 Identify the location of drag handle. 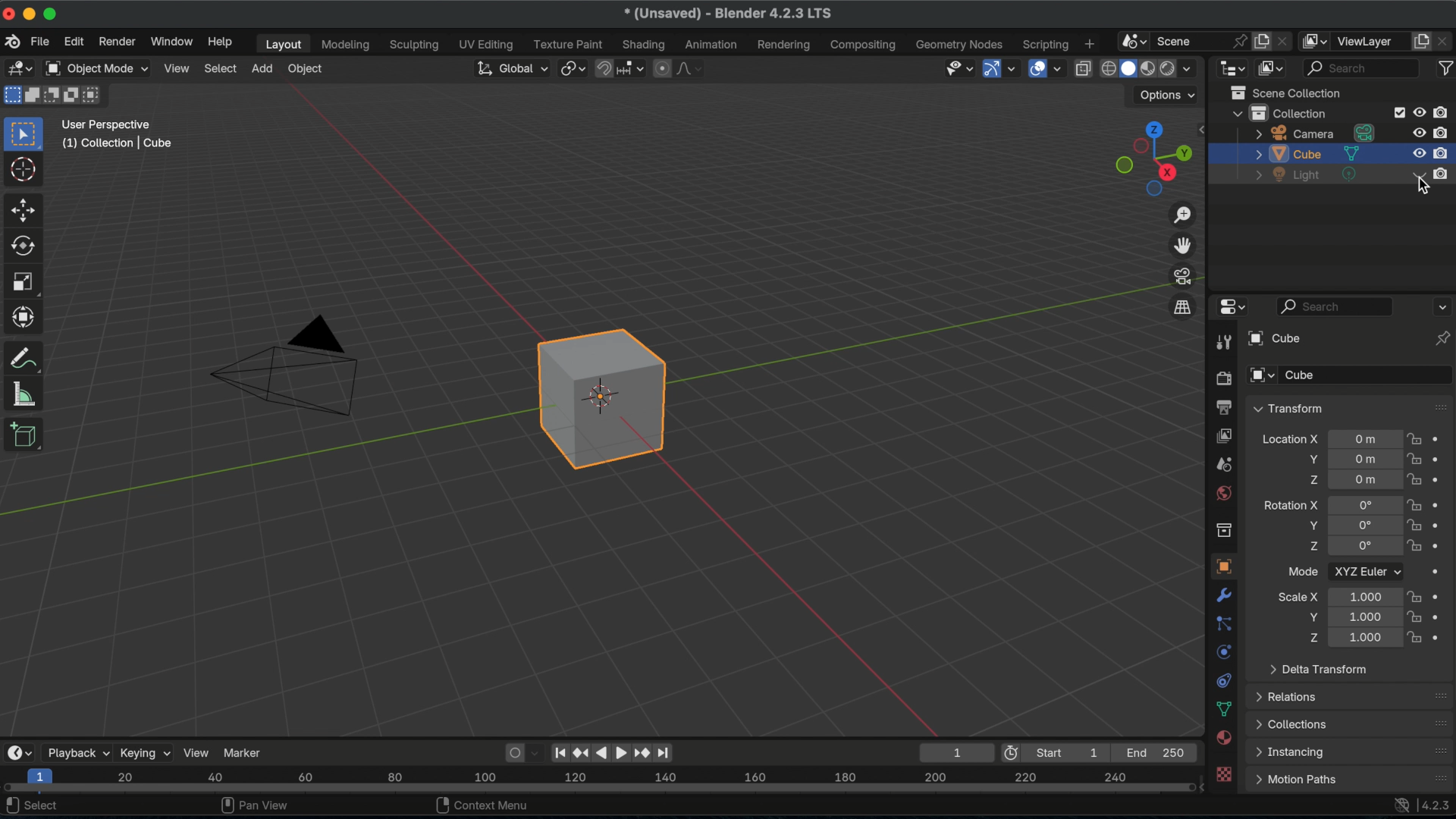
(1439, 777).